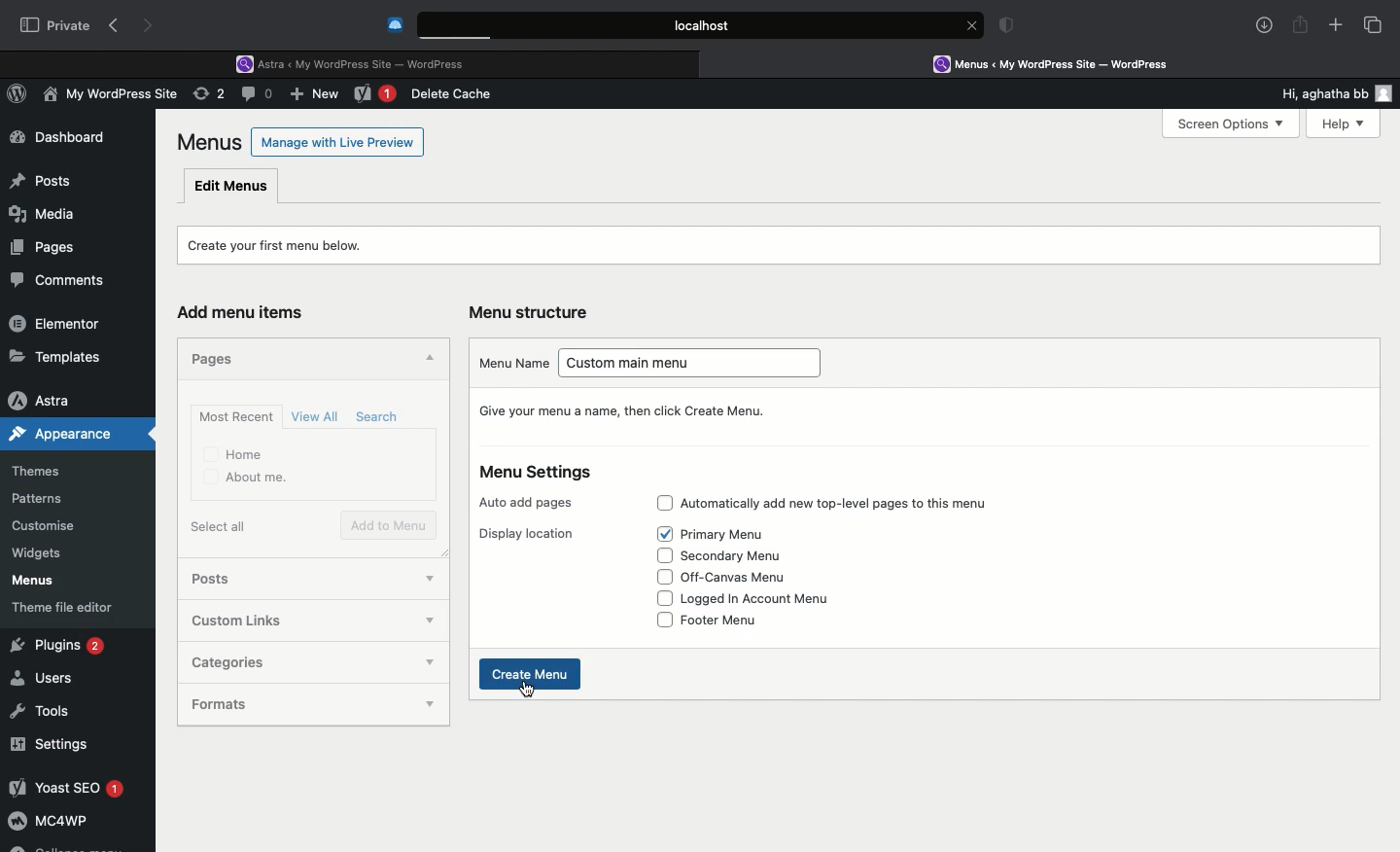  Describe the element at coordinates (530, 503) in the screenshot. I see `Auto add pages` at that location.